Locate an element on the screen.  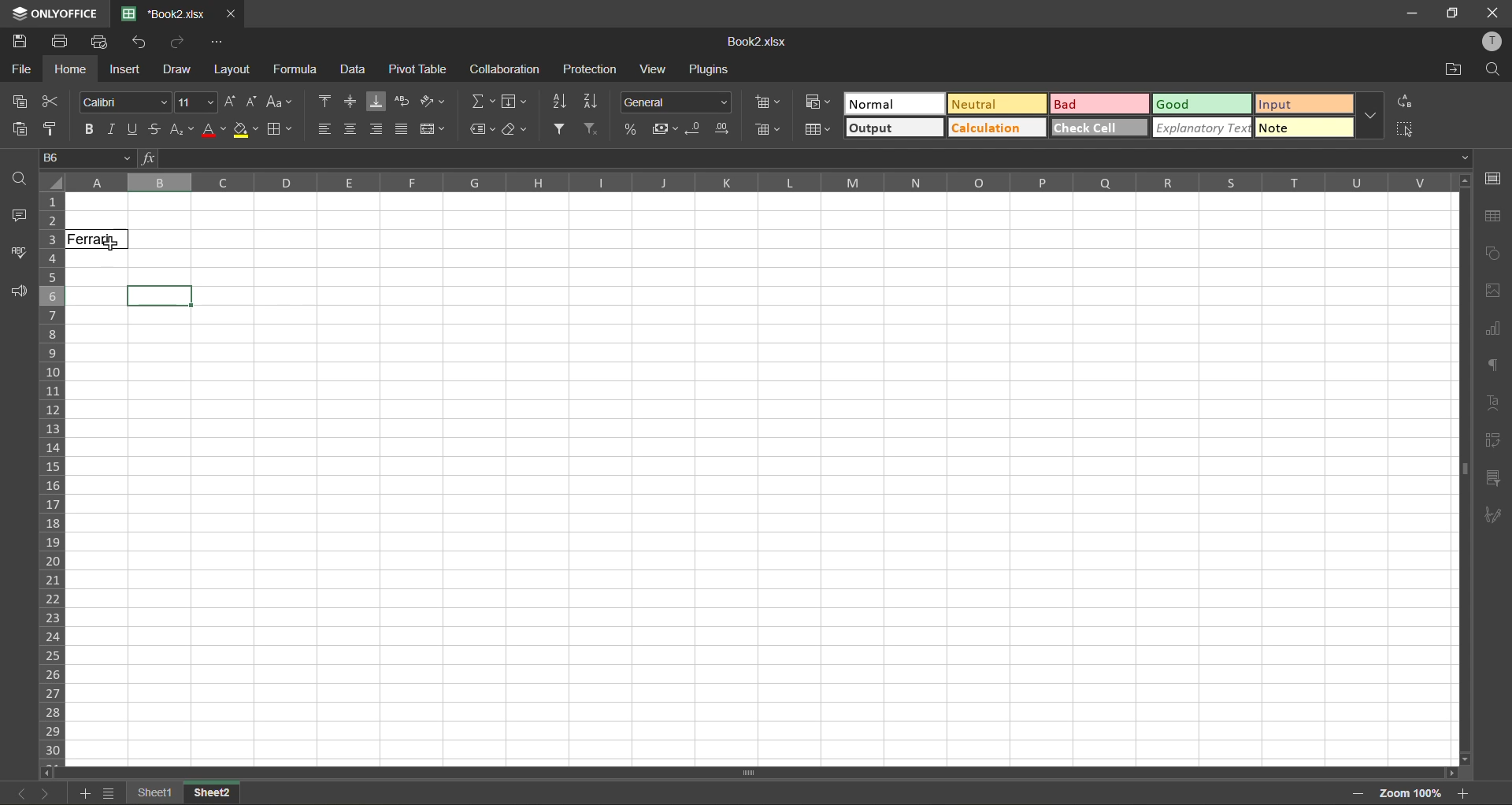
note is located at coordinates (1304, 127).